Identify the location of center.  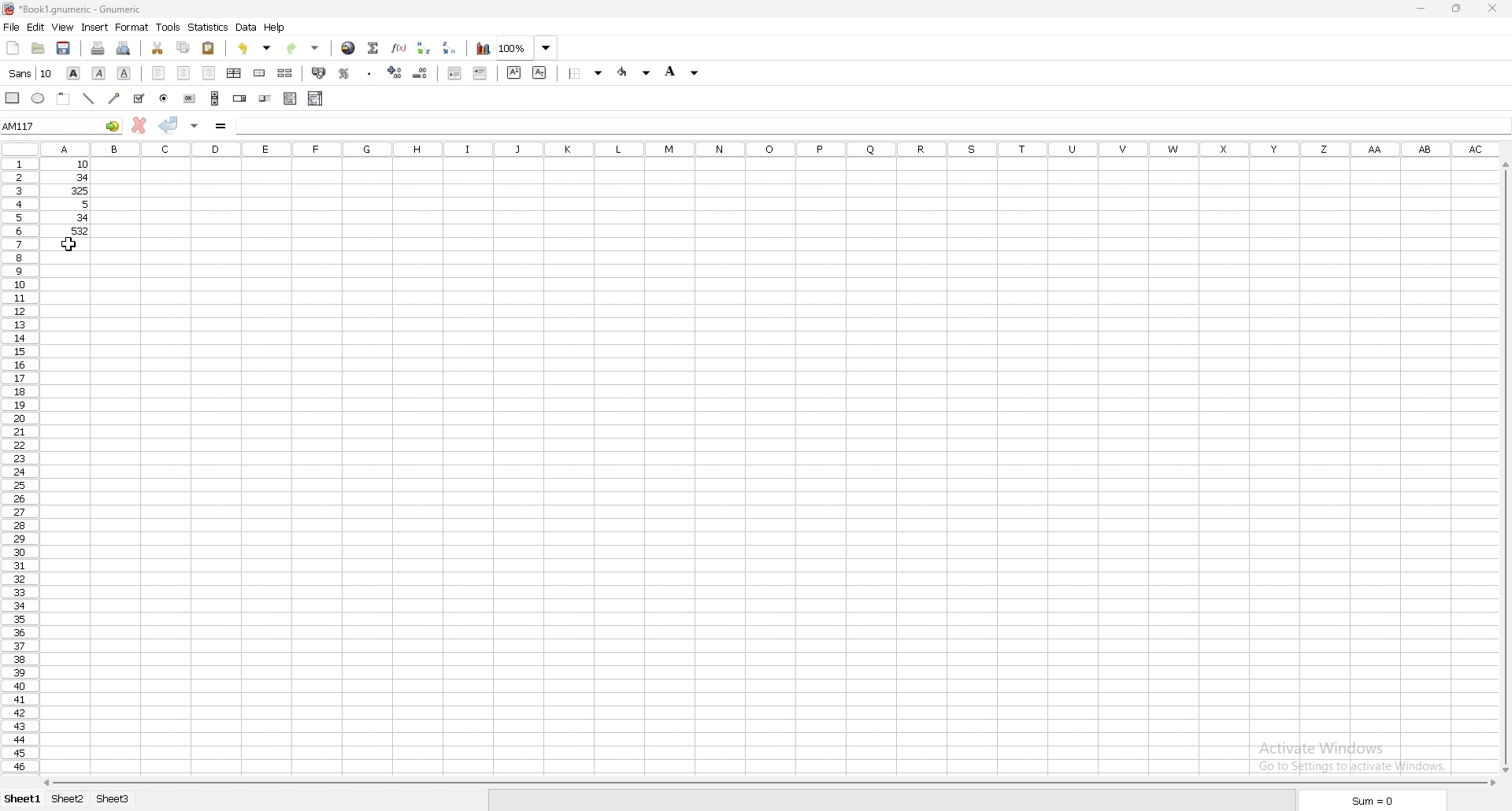
(184, 72).